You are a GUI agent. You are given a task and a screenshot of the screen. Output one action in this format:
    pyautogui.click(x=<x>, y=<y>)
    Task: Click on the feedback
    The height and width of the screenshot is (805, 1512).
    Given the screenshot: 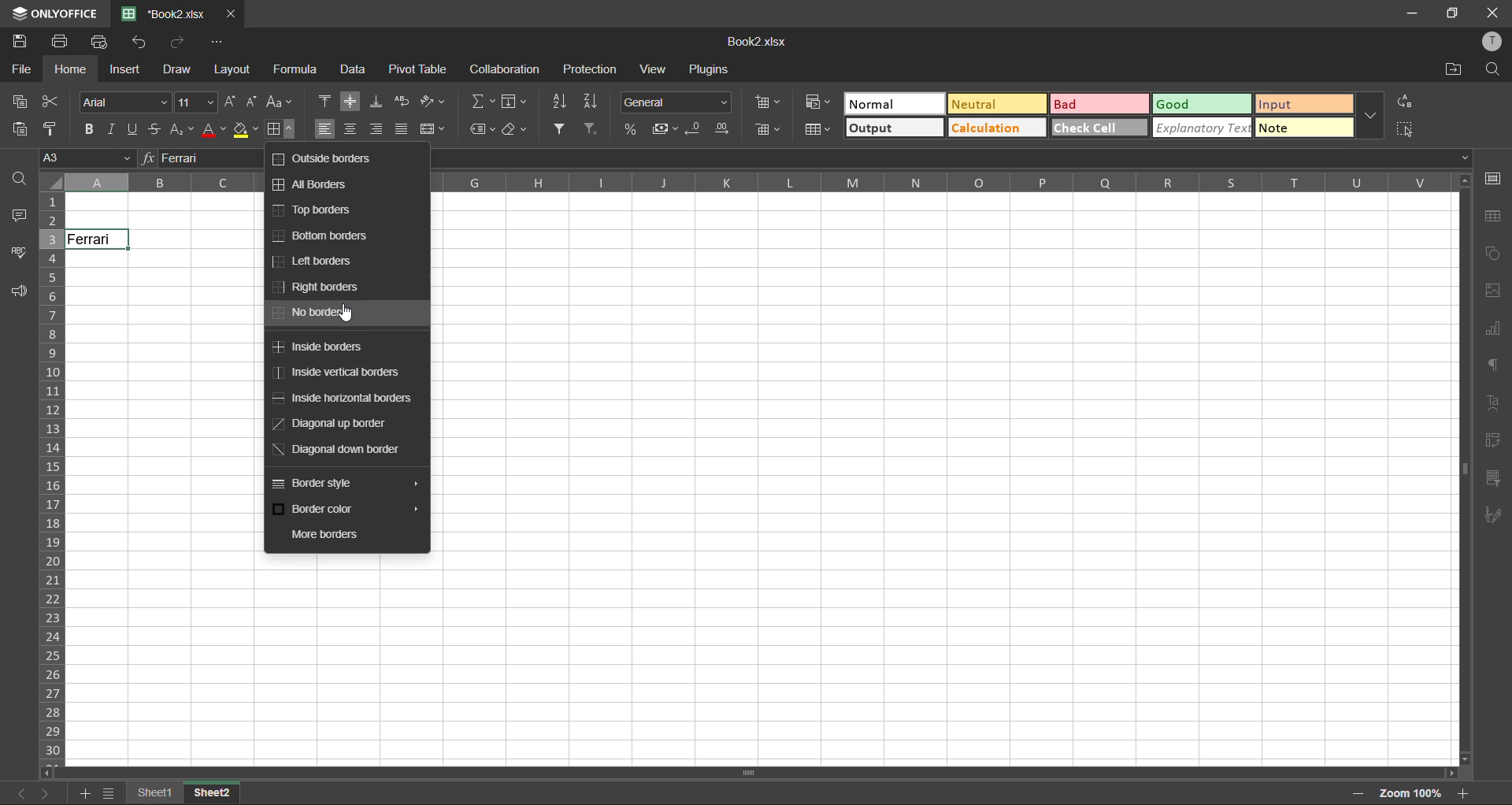 What is the action you would take?
    pyautogui.click(x=18, y=292)
    